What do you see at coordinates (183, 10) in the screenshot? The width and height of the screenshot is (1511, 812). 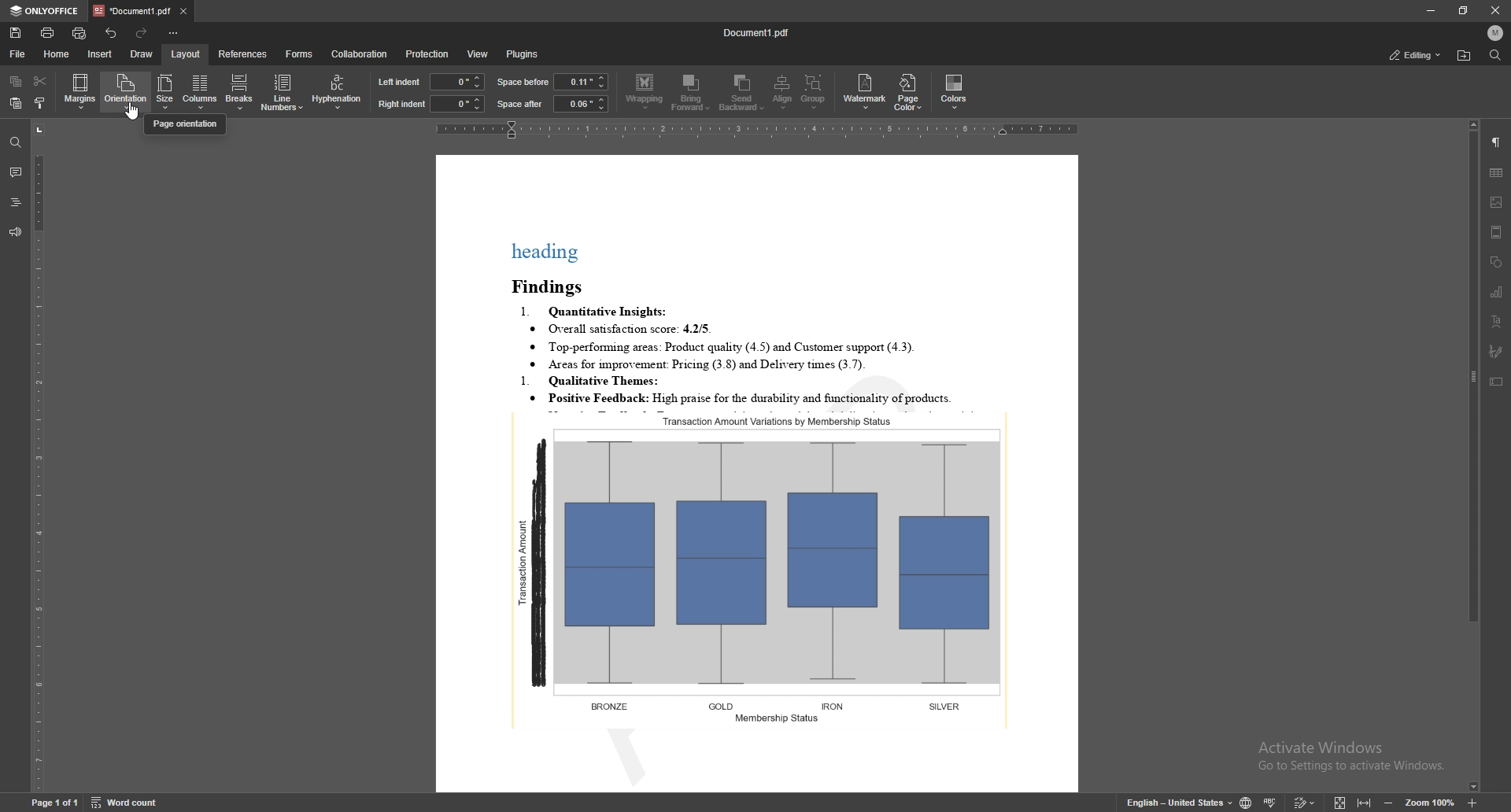 I see `close tab` at bounding box center [183, 10].